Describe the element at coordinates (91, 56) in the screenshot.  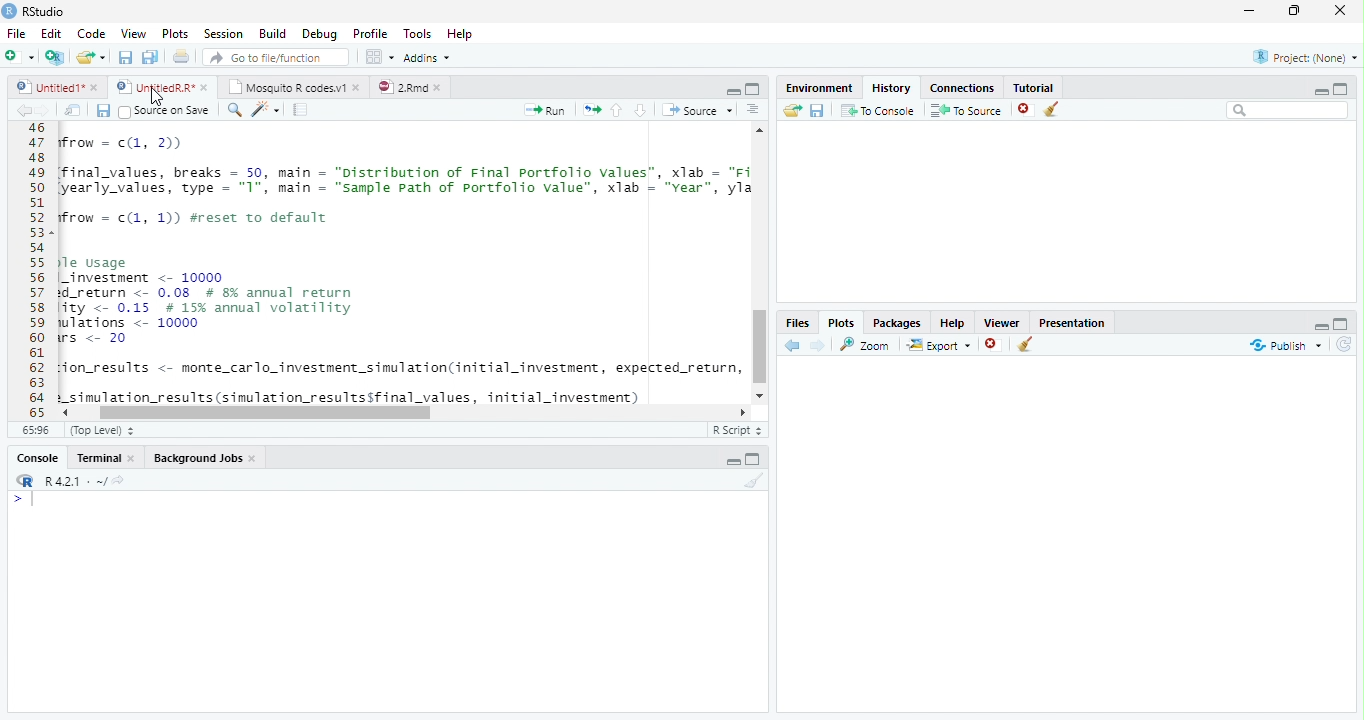
I see `Open an existing file` at that location.